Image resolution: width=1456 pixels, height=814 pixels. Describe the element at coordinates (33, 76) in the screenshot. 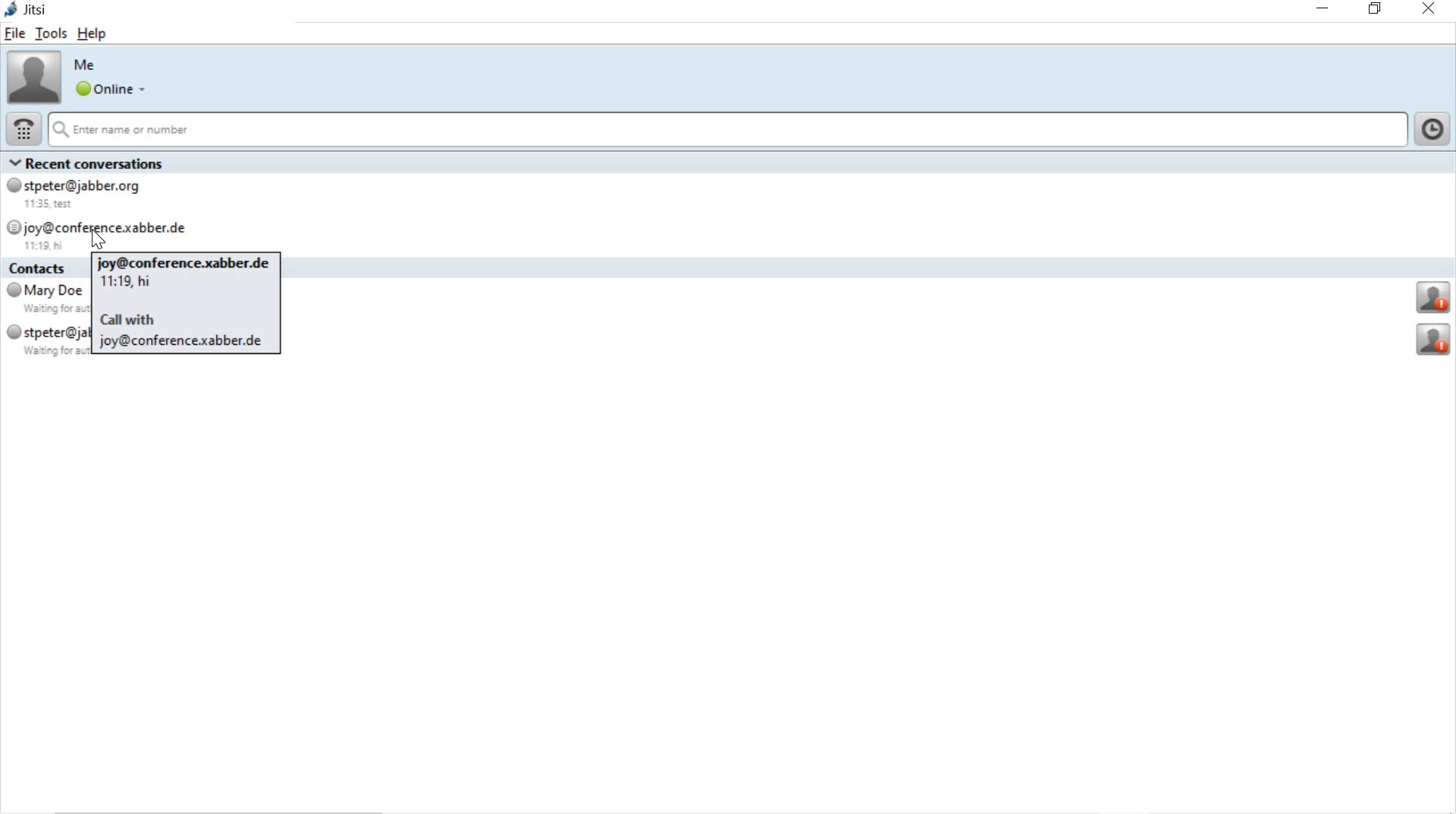

I see `account picture` at that location.